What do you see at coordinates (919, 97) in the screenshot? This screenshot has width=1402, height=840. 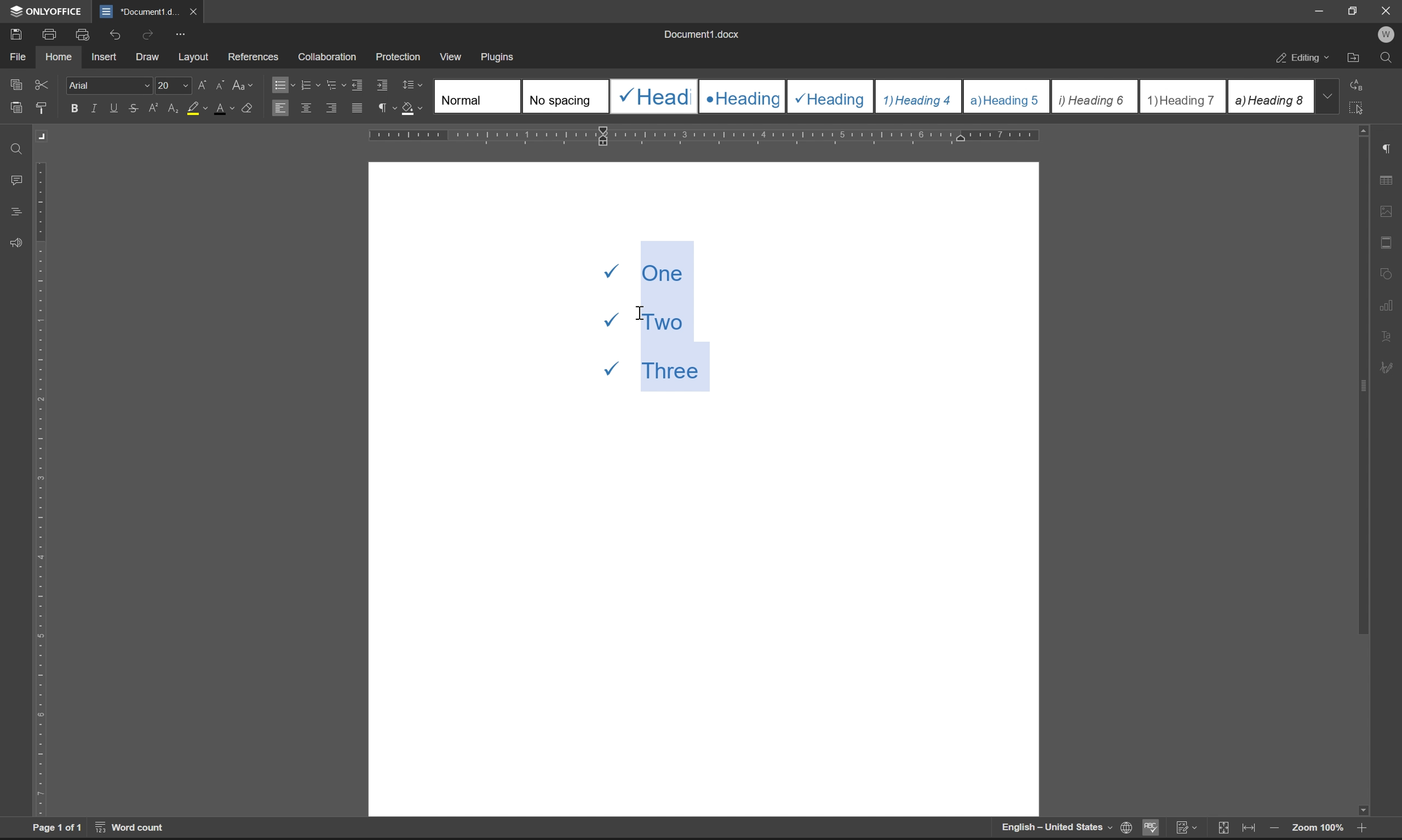 I see `Heading 4` at bounding box center [919, 97].